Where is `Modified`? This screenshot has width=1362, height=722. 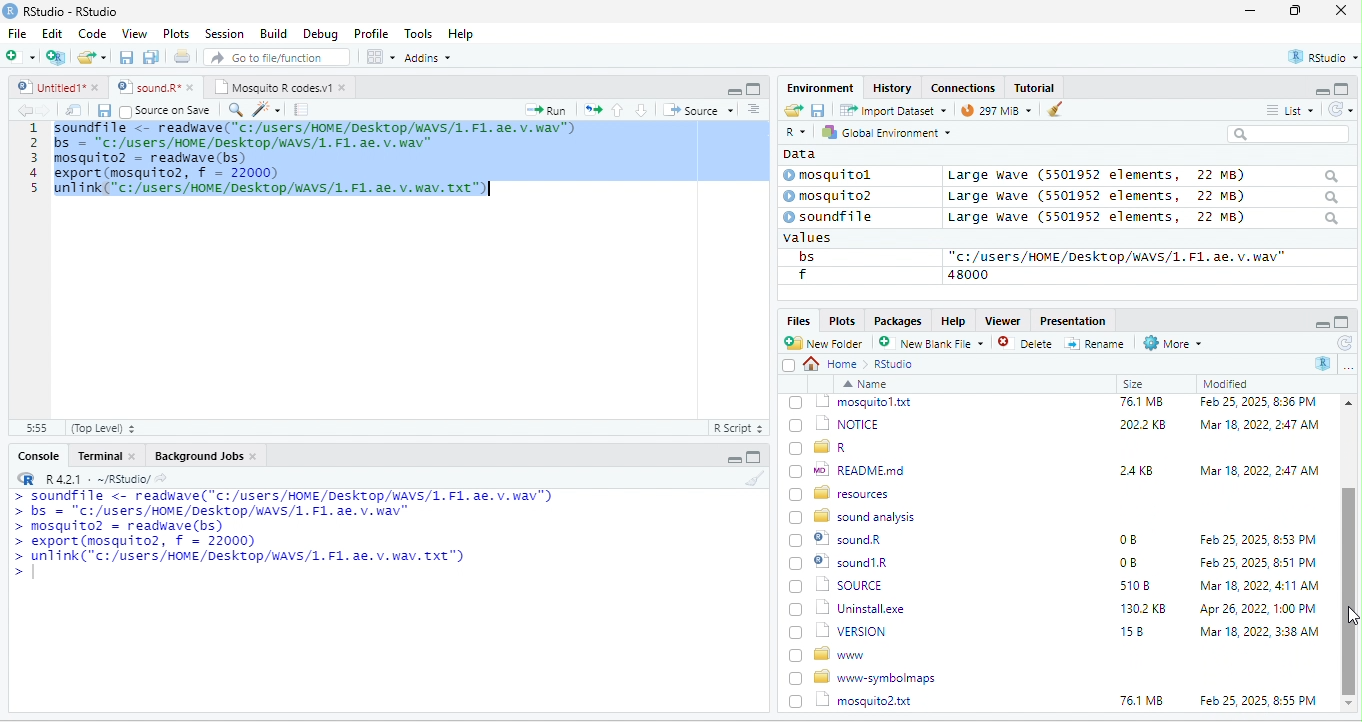 Modified is located at coordinates (1227, 384).